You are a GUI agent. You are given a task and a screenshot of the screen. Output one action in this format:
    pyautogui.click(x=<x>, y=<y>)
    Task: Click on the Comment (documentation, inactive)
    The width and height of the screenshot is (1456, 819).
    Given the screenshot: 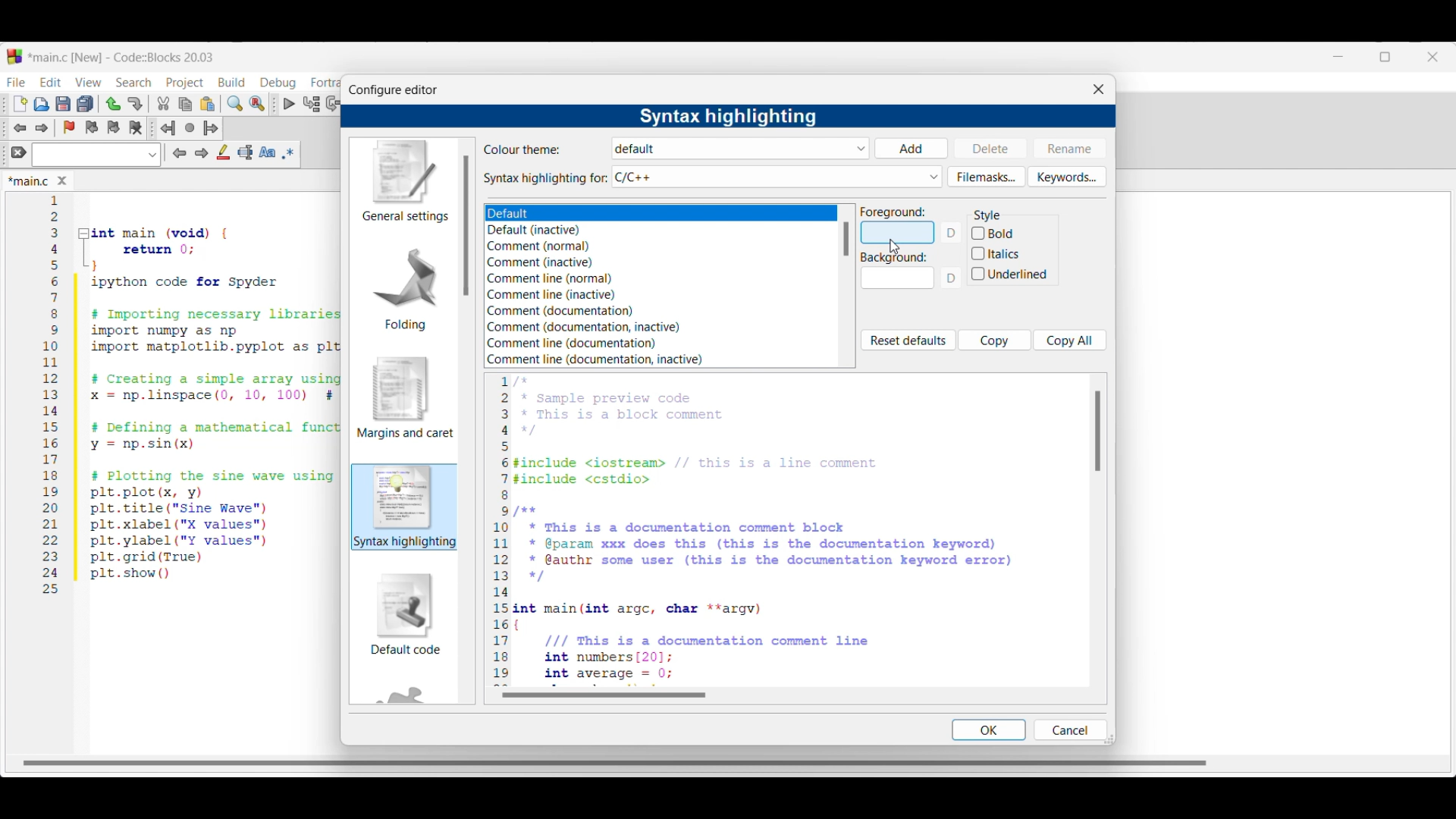 What is the action you would take?
    pyautogui.click(x=595, y=328)
    